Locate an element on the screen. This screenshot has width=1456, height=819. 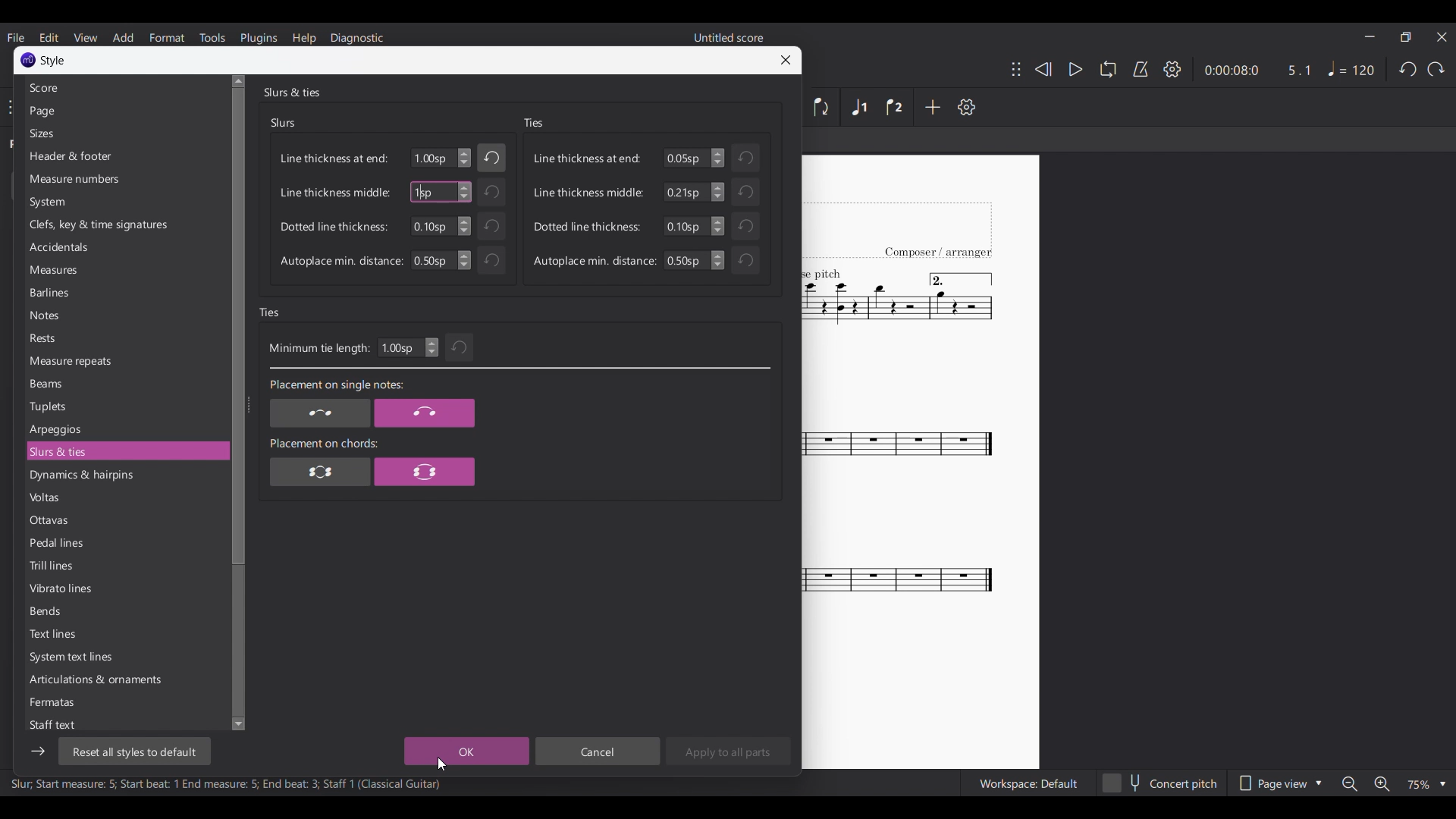
 is located at coordinates (431, 260).